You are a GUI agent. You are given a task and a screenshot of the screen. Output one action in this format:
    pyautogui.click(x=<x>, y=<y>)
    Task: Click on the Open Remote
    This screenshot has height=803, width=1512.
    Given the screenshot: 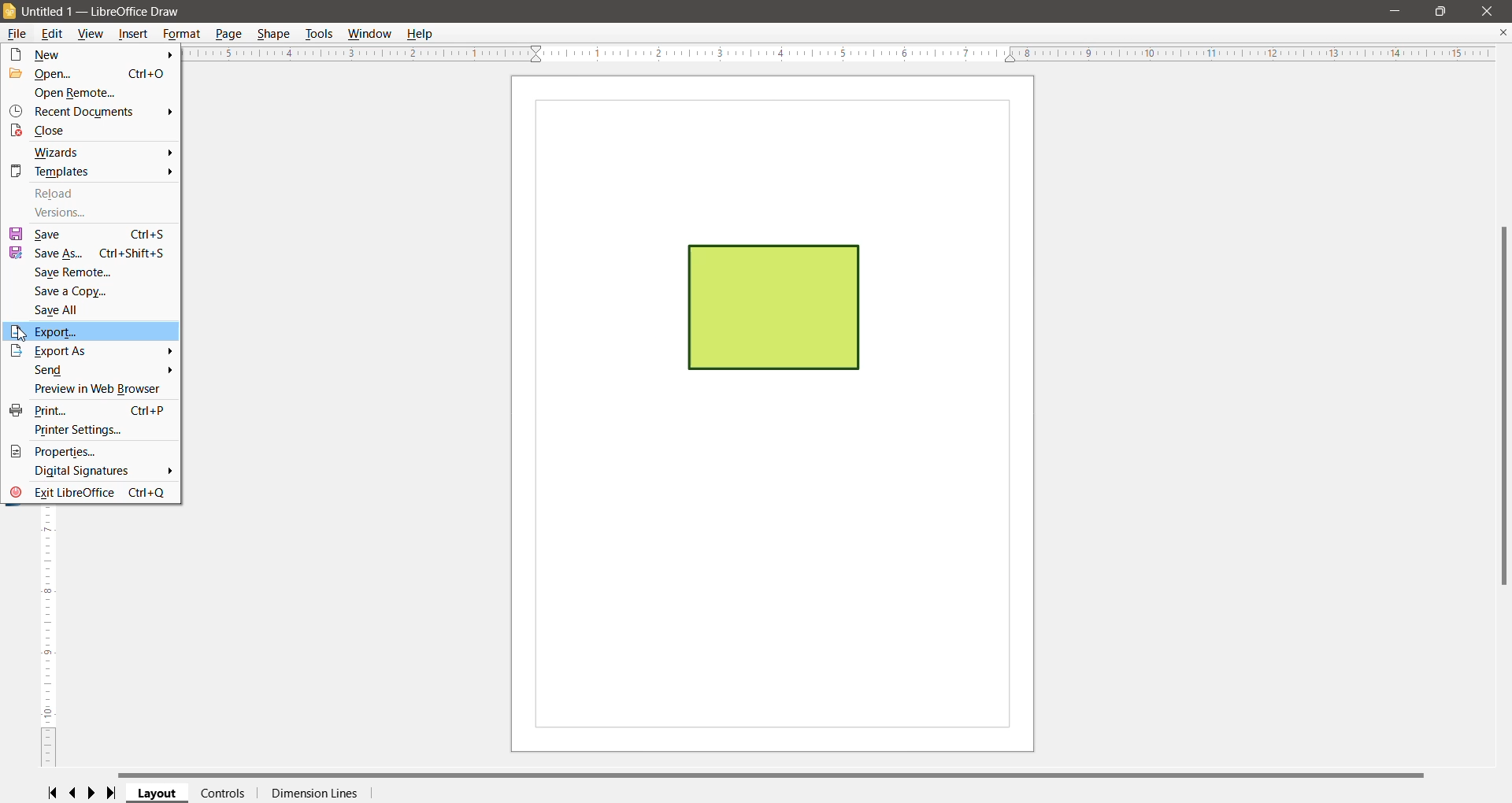 What is the action you would take?
    pyautogui.click(x=81, y=93)
    